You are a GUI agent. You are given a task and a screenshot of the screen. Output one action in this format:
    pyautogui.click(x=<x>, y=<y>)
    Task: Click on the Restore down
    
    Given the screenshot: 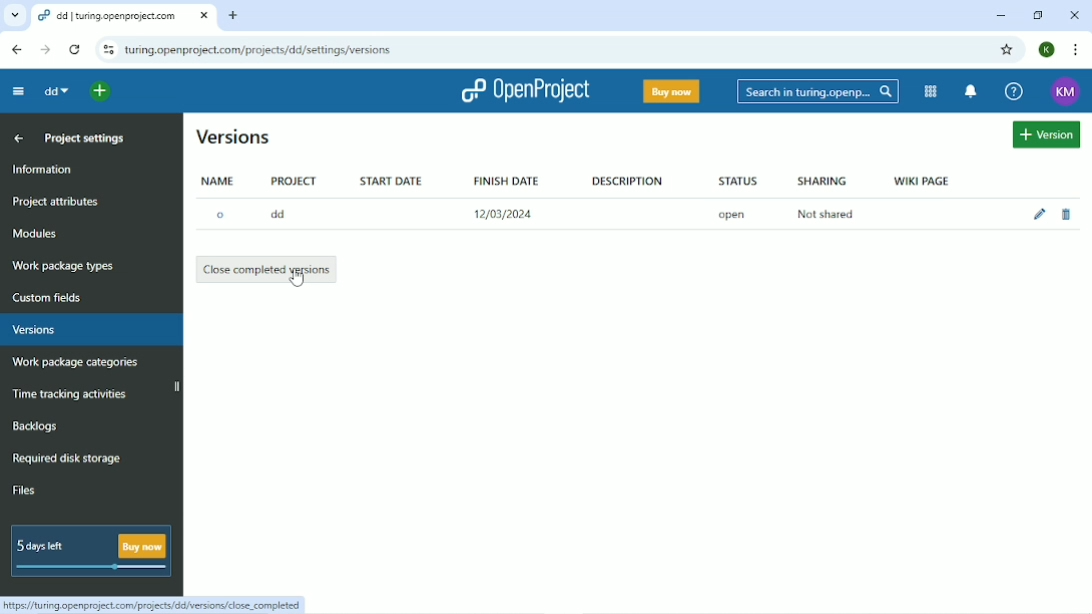 What is the action you would take?
    pyautogui.click(x=1041, y=16)
    